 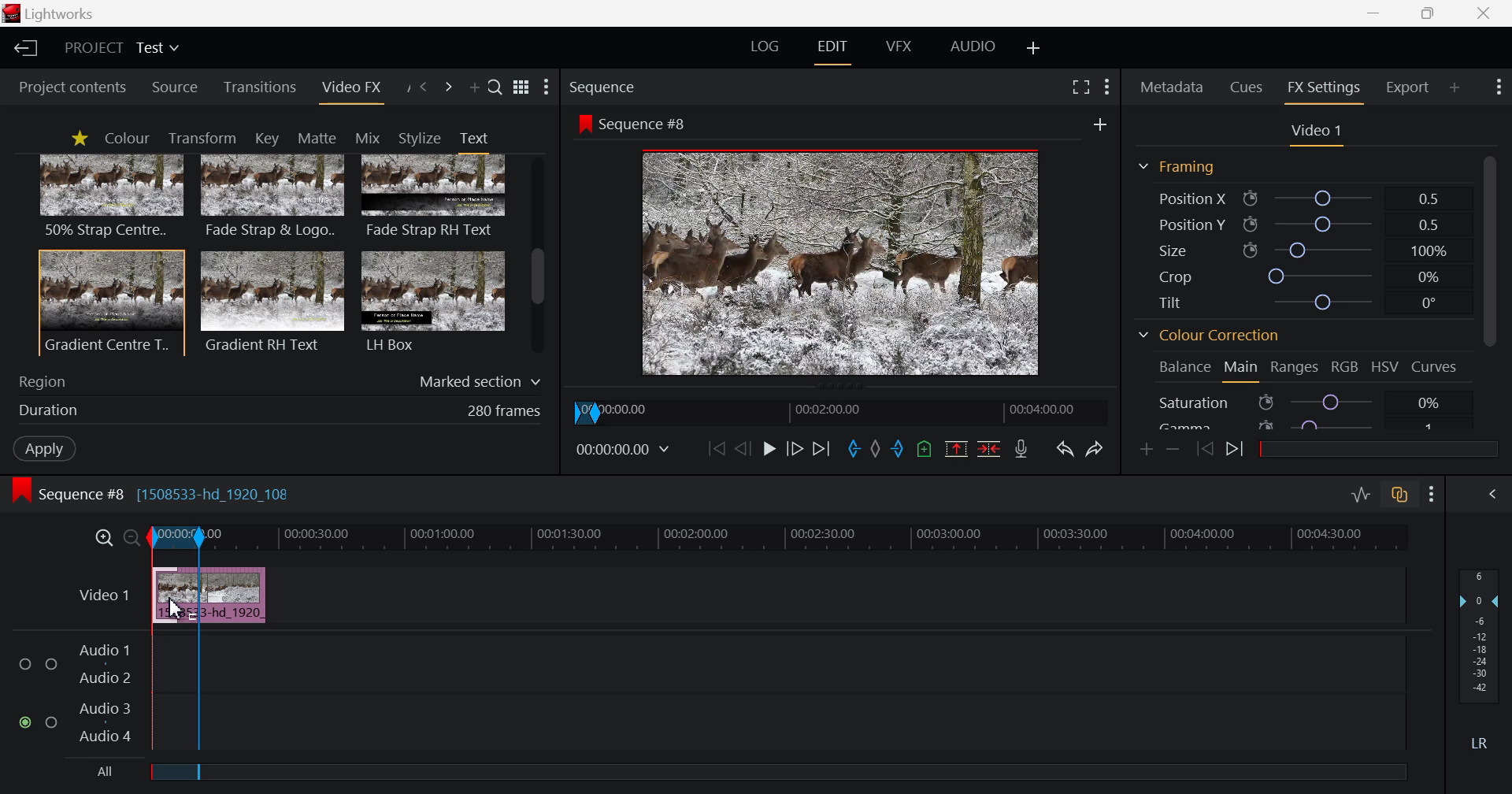 I want to click on Source, so click(x=175, y=88).